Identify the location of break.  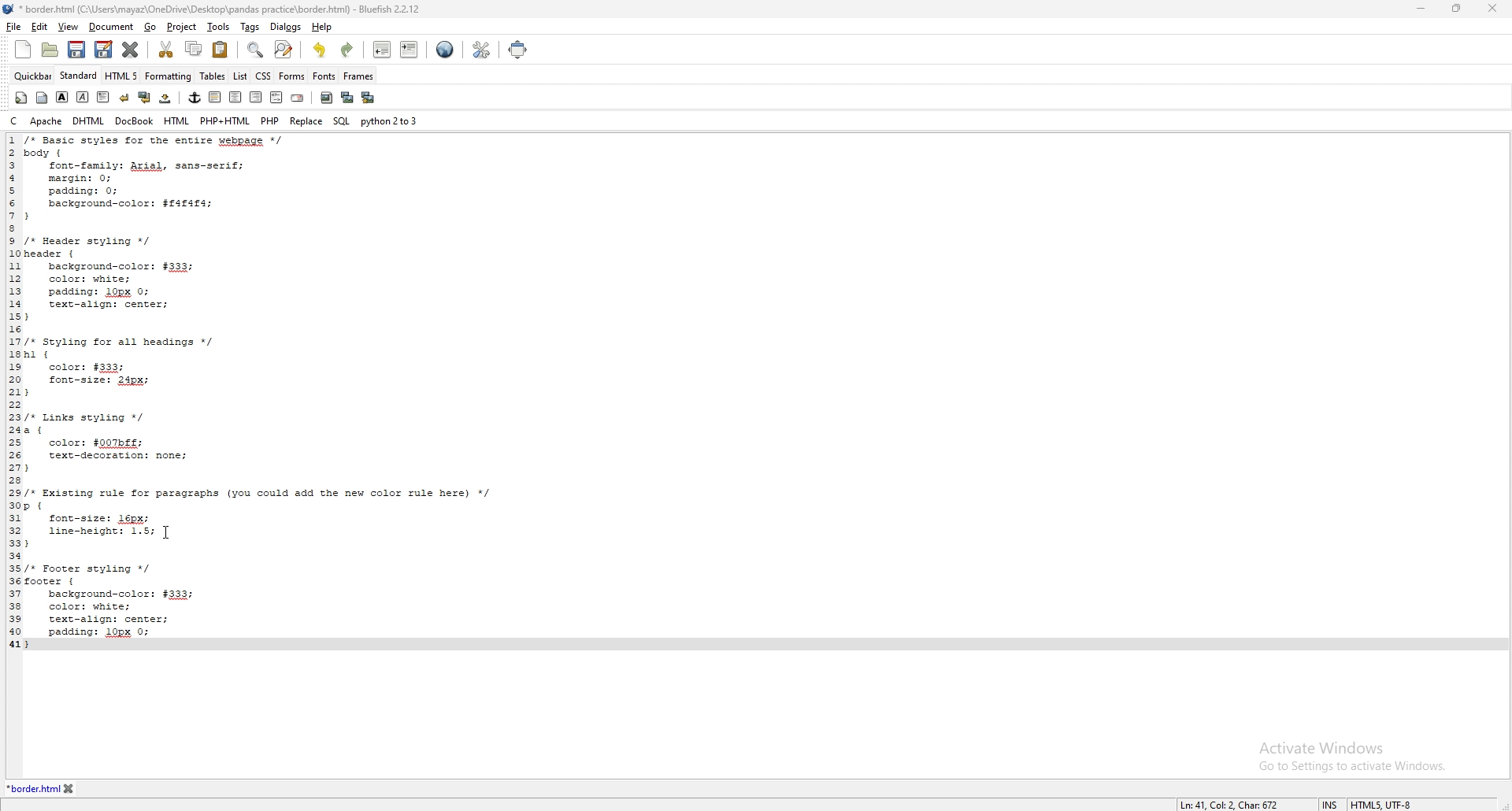
(125, 96).